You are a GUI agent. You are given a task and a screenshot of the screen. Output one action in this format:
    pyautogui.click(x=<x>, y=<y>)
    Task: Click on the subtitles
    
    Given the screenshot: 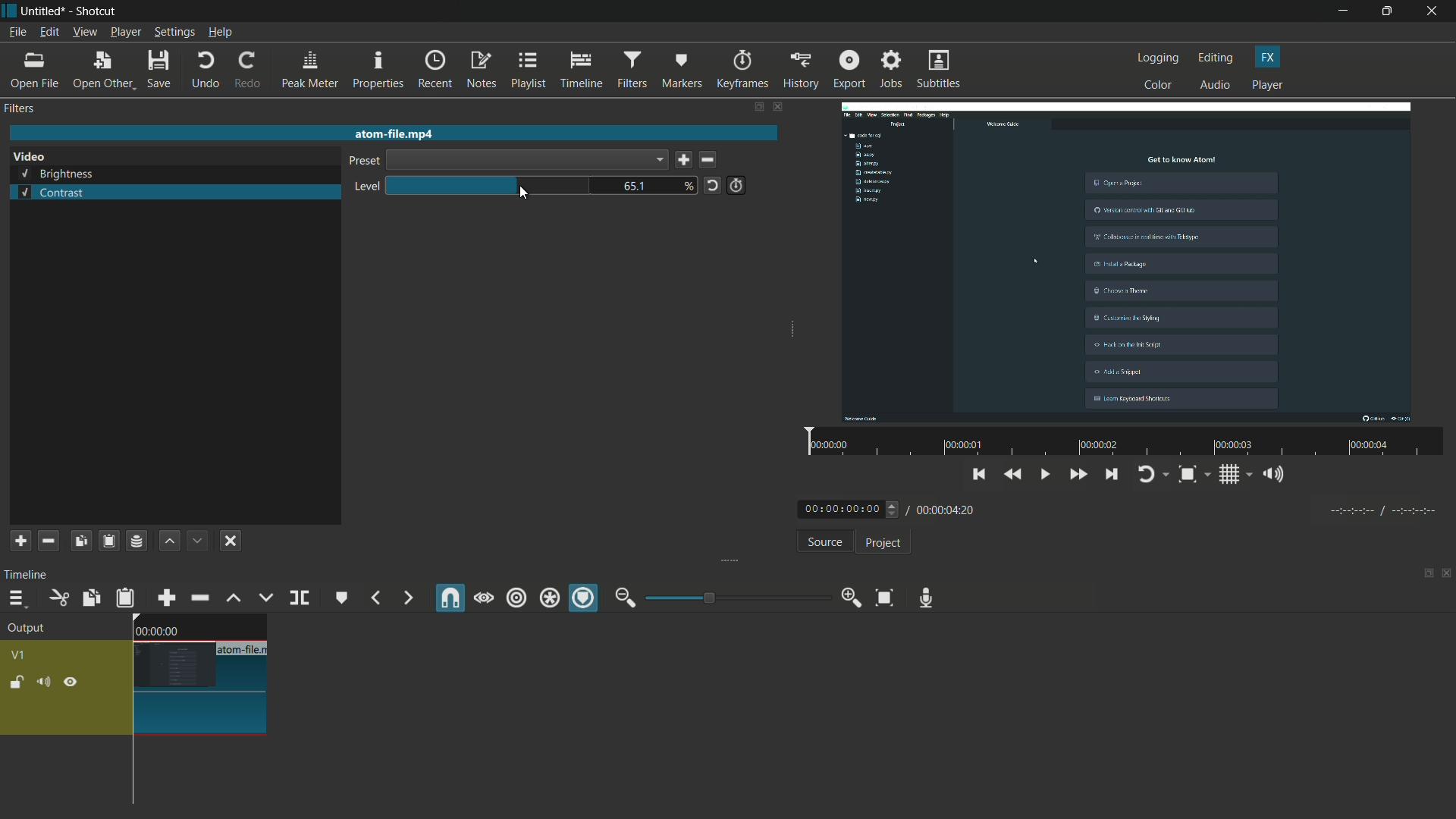 What is the action you would take?
    pyautogui.click(x=940, y=71)
    